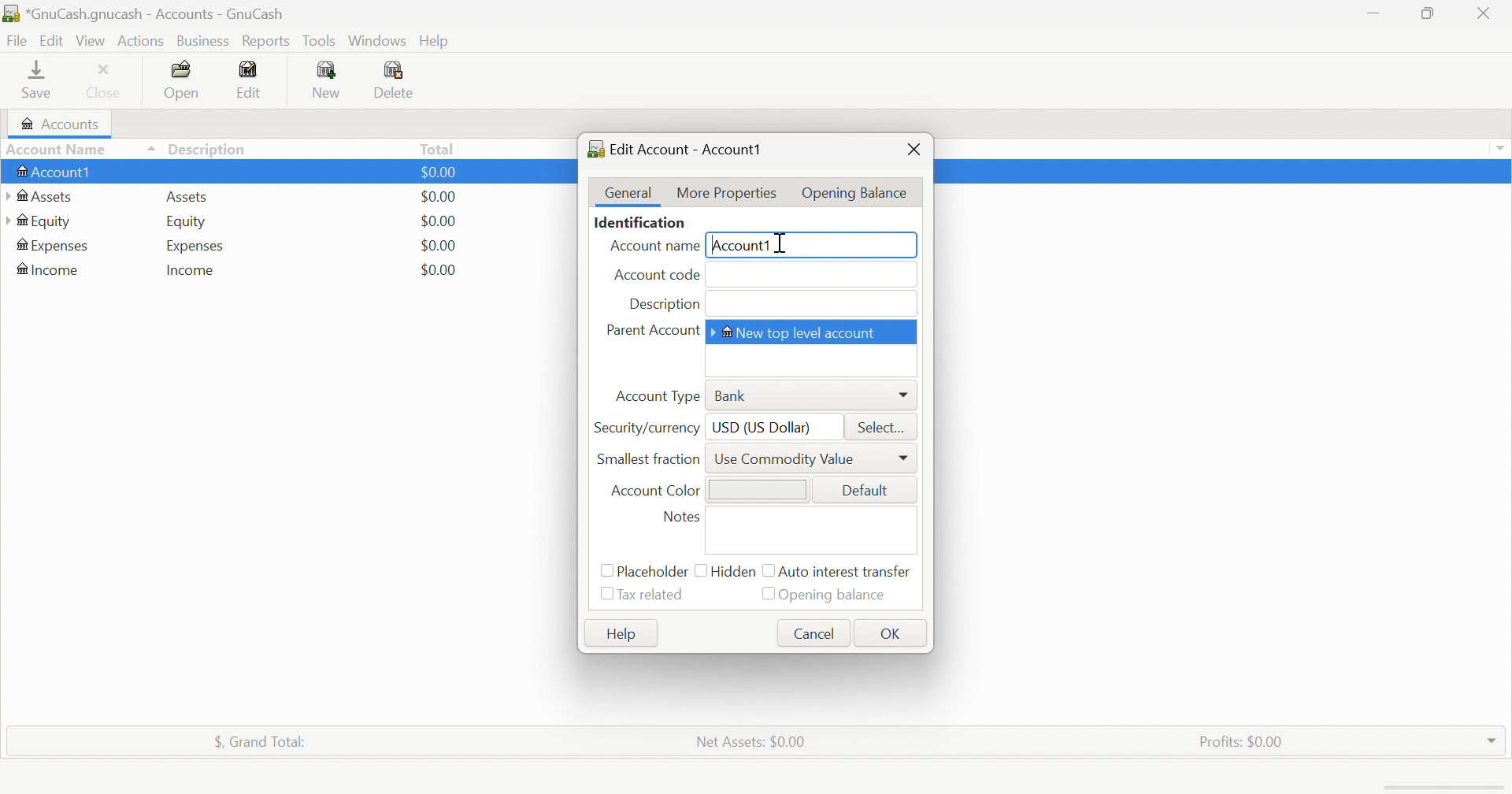 This screenshot has height=794, width=1512. Describe the element at coordinates (62, 124) in the screenshot. I see `Accounts` at that location.